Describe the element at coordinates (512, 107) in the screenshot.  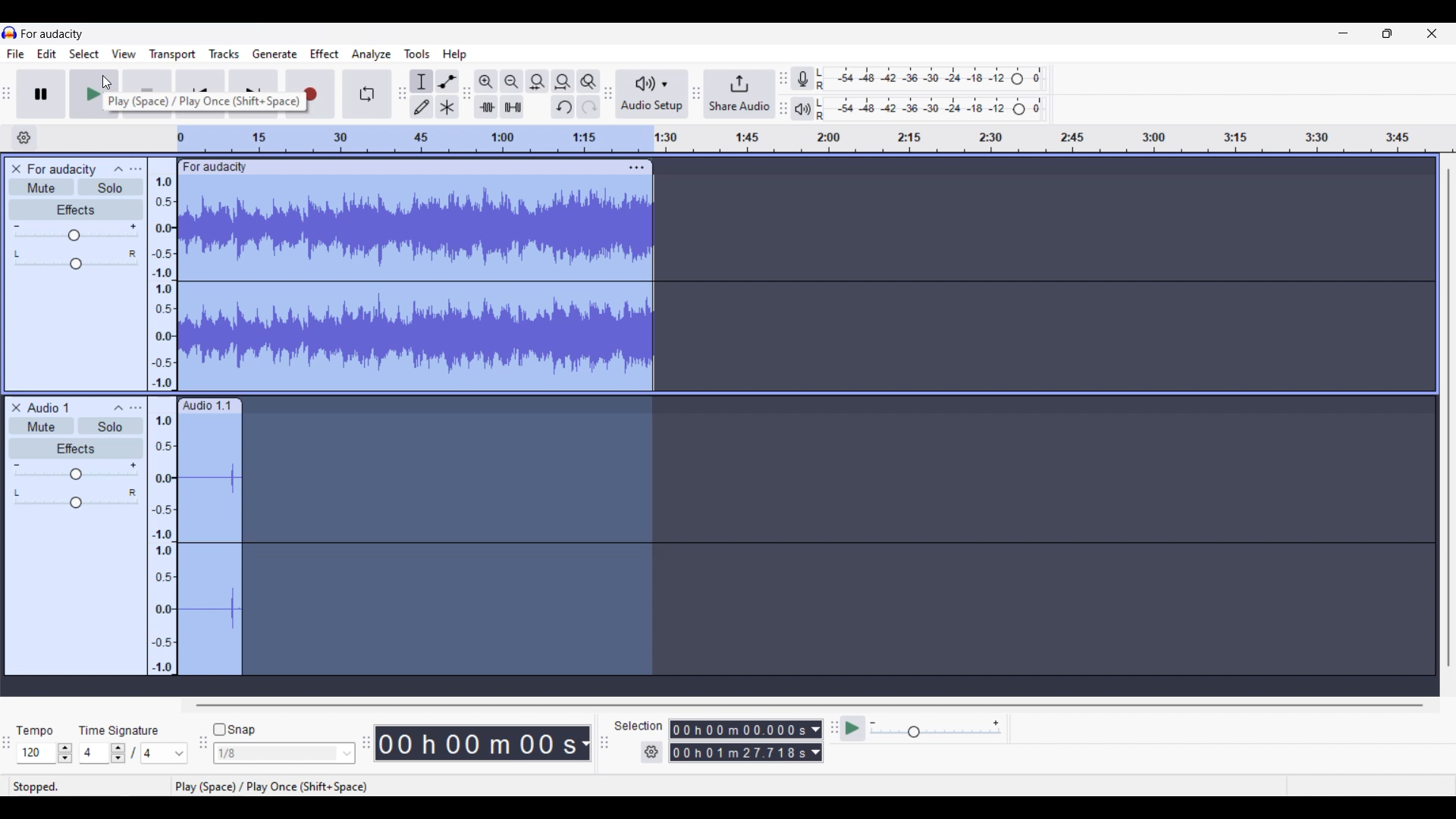
I see `Silence audio selection` at that location.